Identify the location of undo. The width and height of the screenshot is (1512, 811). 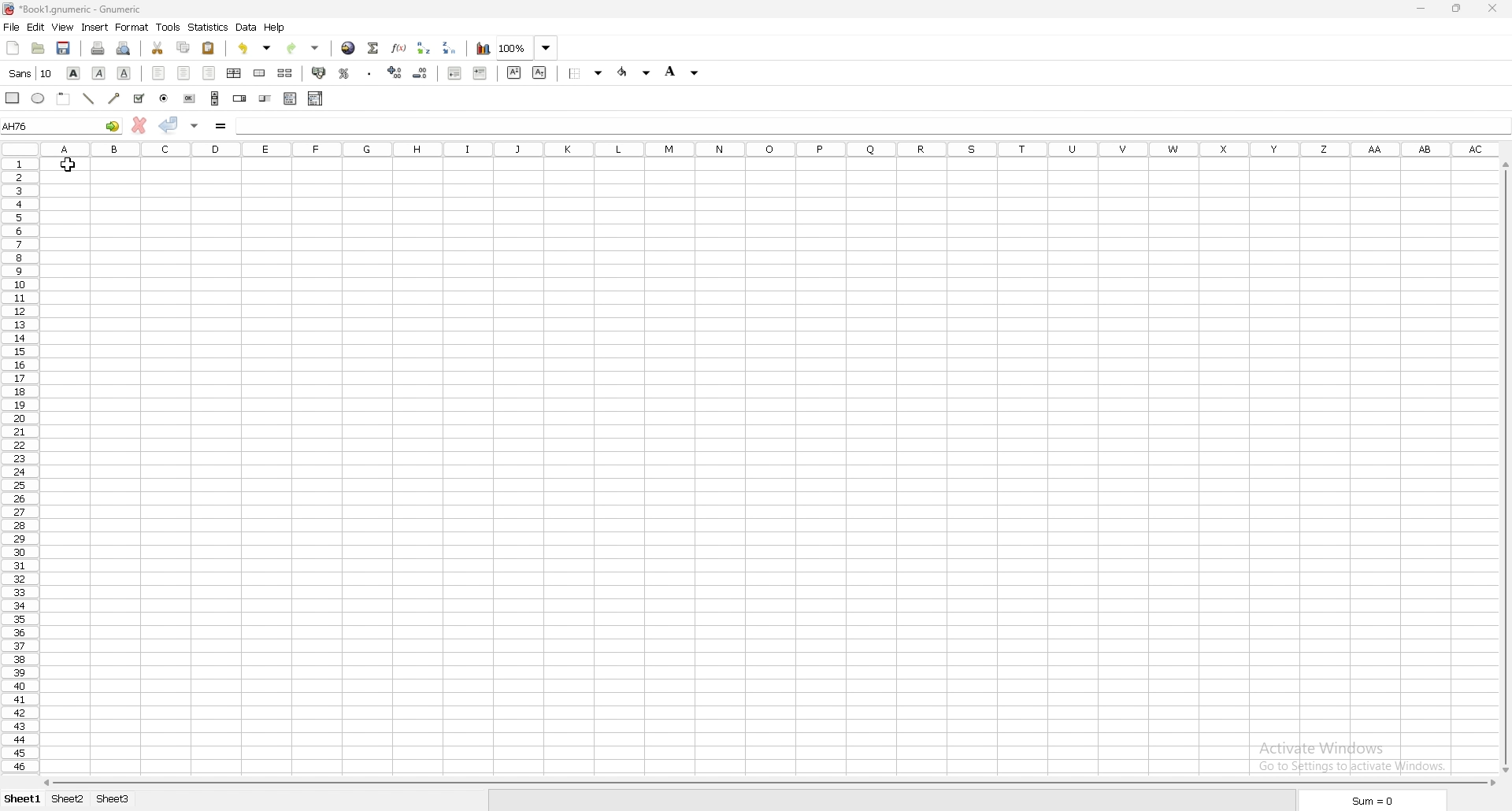
(254, 48).